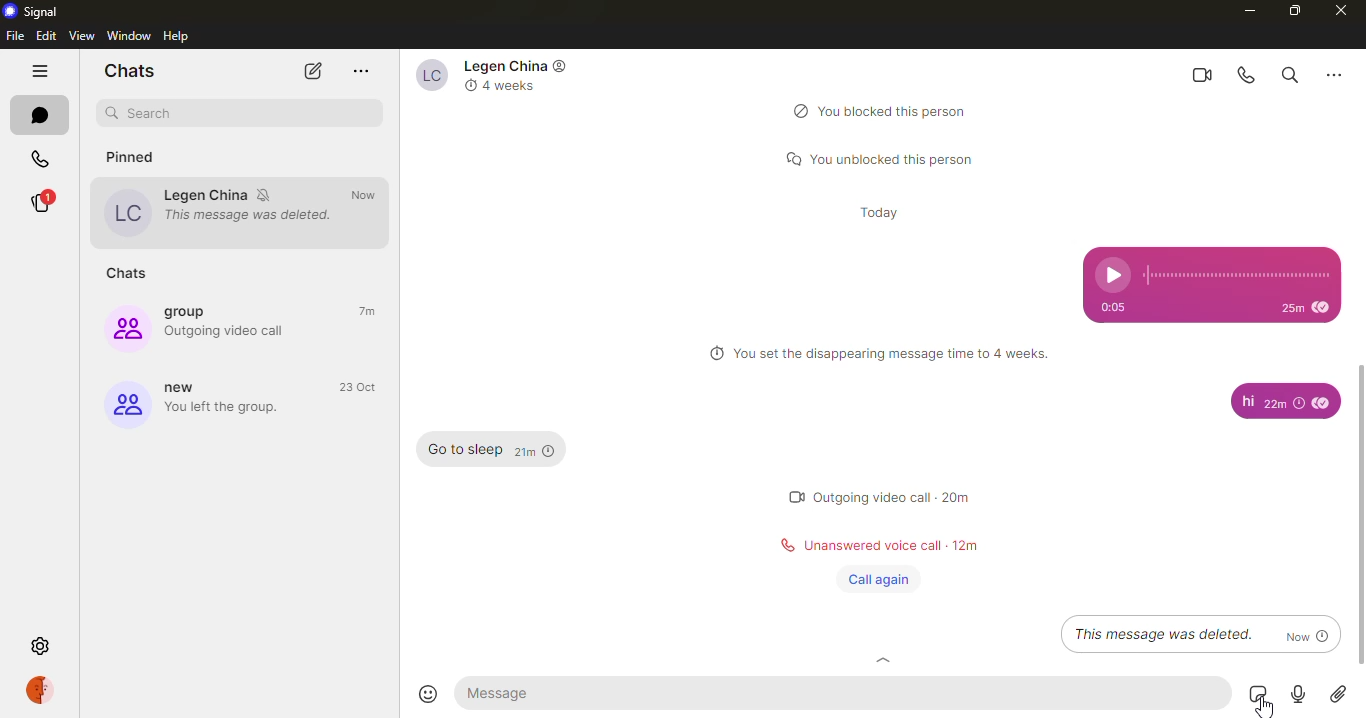 The height and width of the screenshot is (718, 1366). What do you see at coordinates (229, 331) in the screenshot?
I see `Outgoing video call` at bounding box center [229, 331].